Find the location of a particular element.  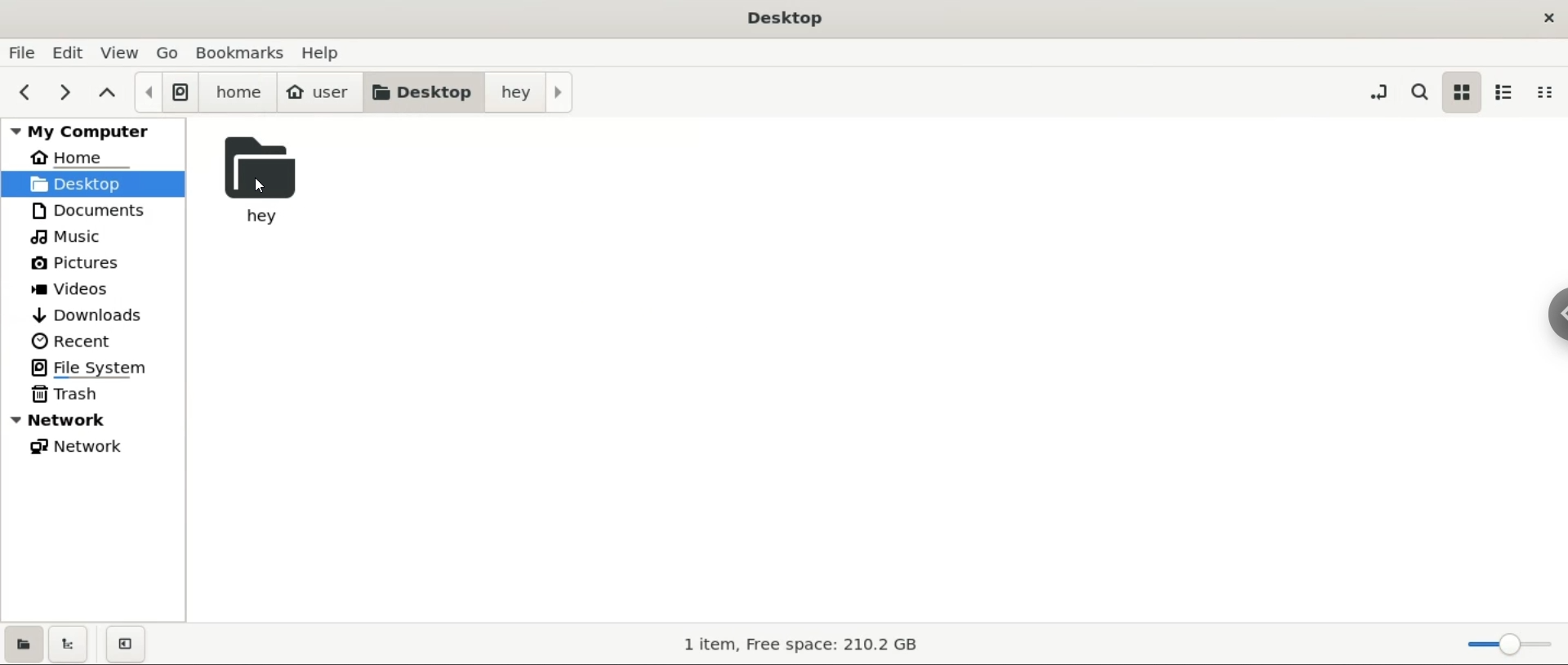

home is located at coordinates (240, 91).